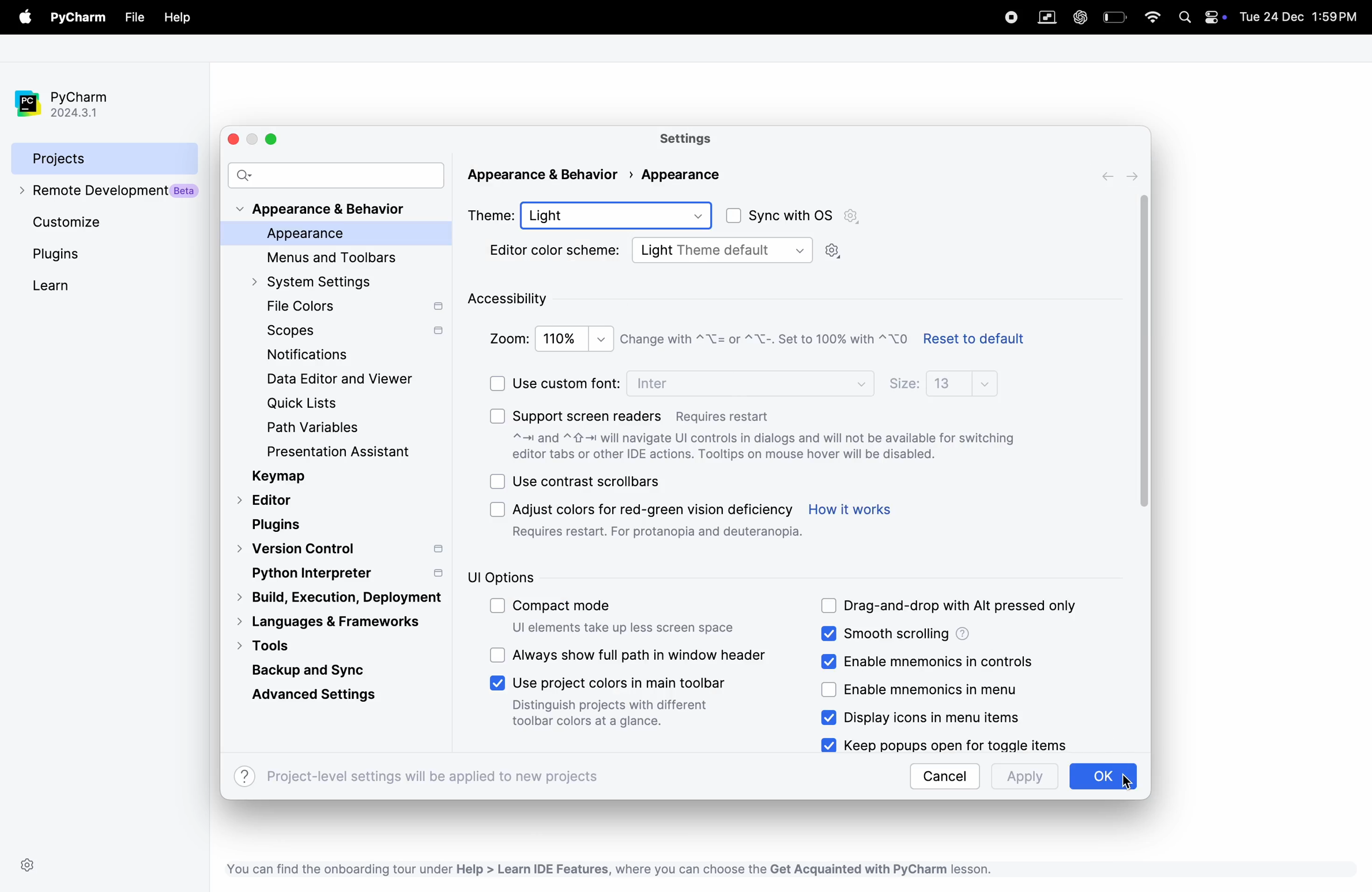  I want to click on enable mnemonic controls, so click(946, 659).